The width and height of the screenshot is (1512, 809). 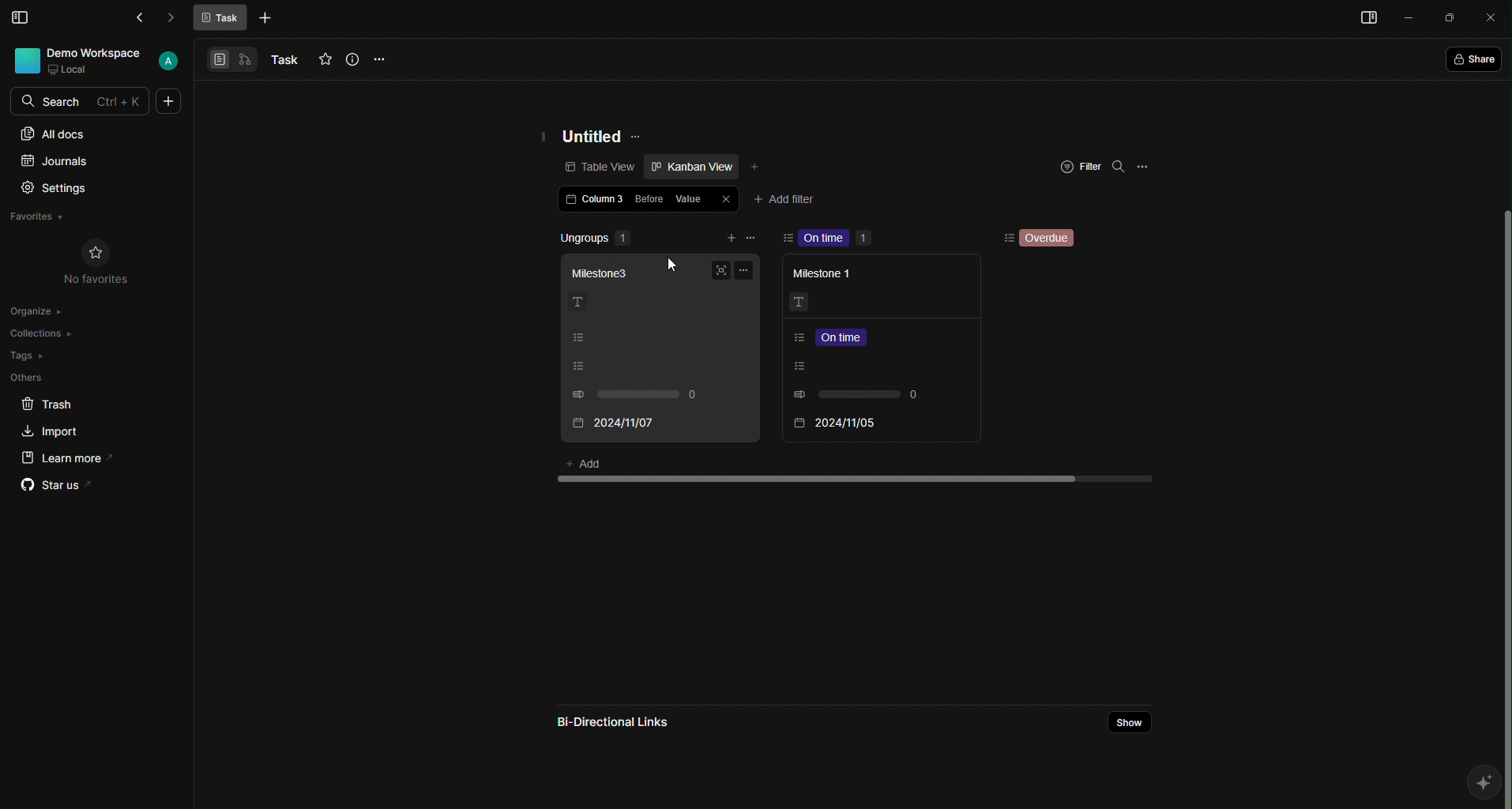 What do you see at coordinates (81, 100) in the screenshot?
I see `Search` at bounding box center [81, 100].